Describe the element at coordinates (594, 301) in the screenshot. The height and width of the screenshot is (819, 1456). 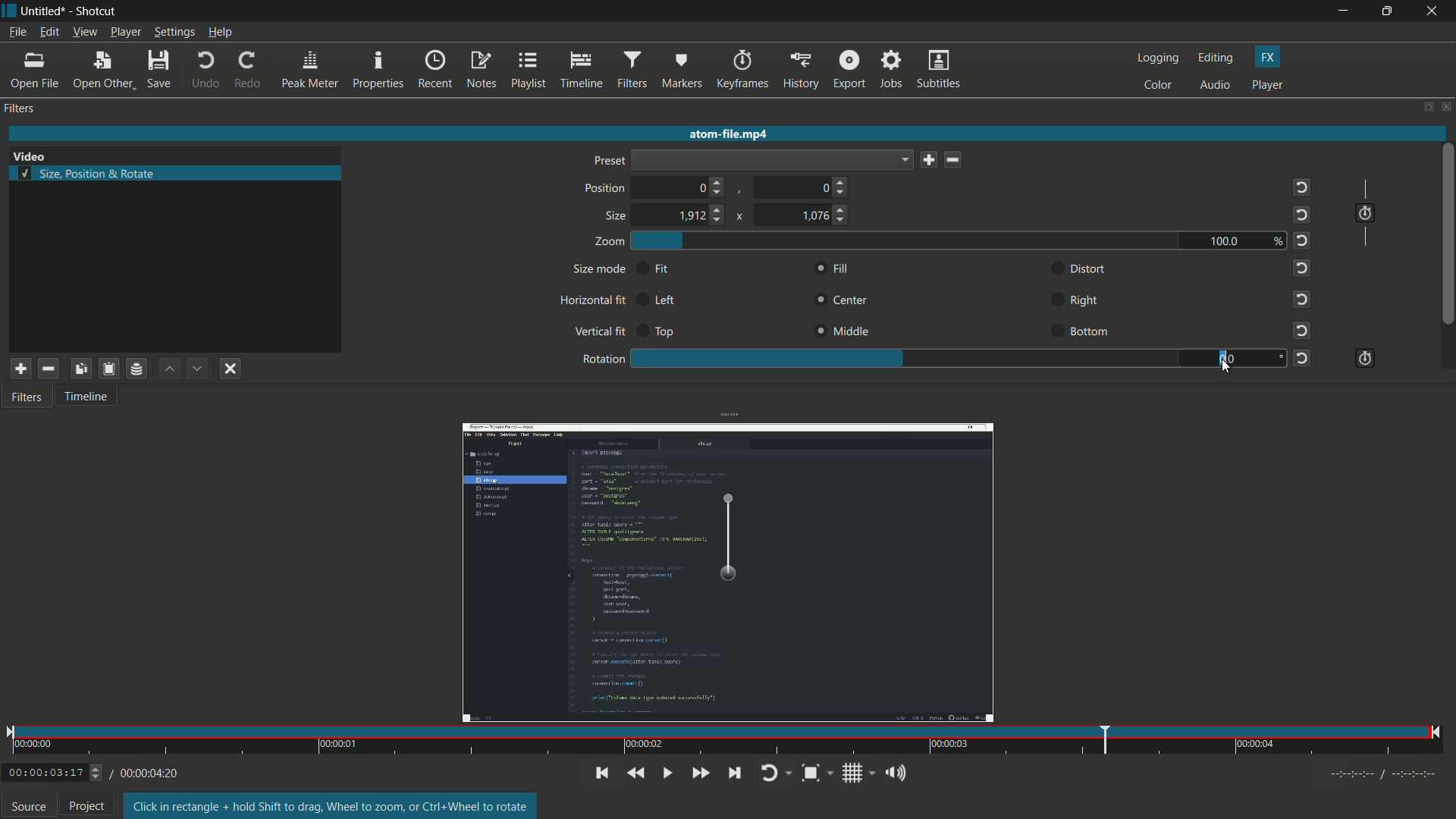
I see `horizontal fit` at that location.